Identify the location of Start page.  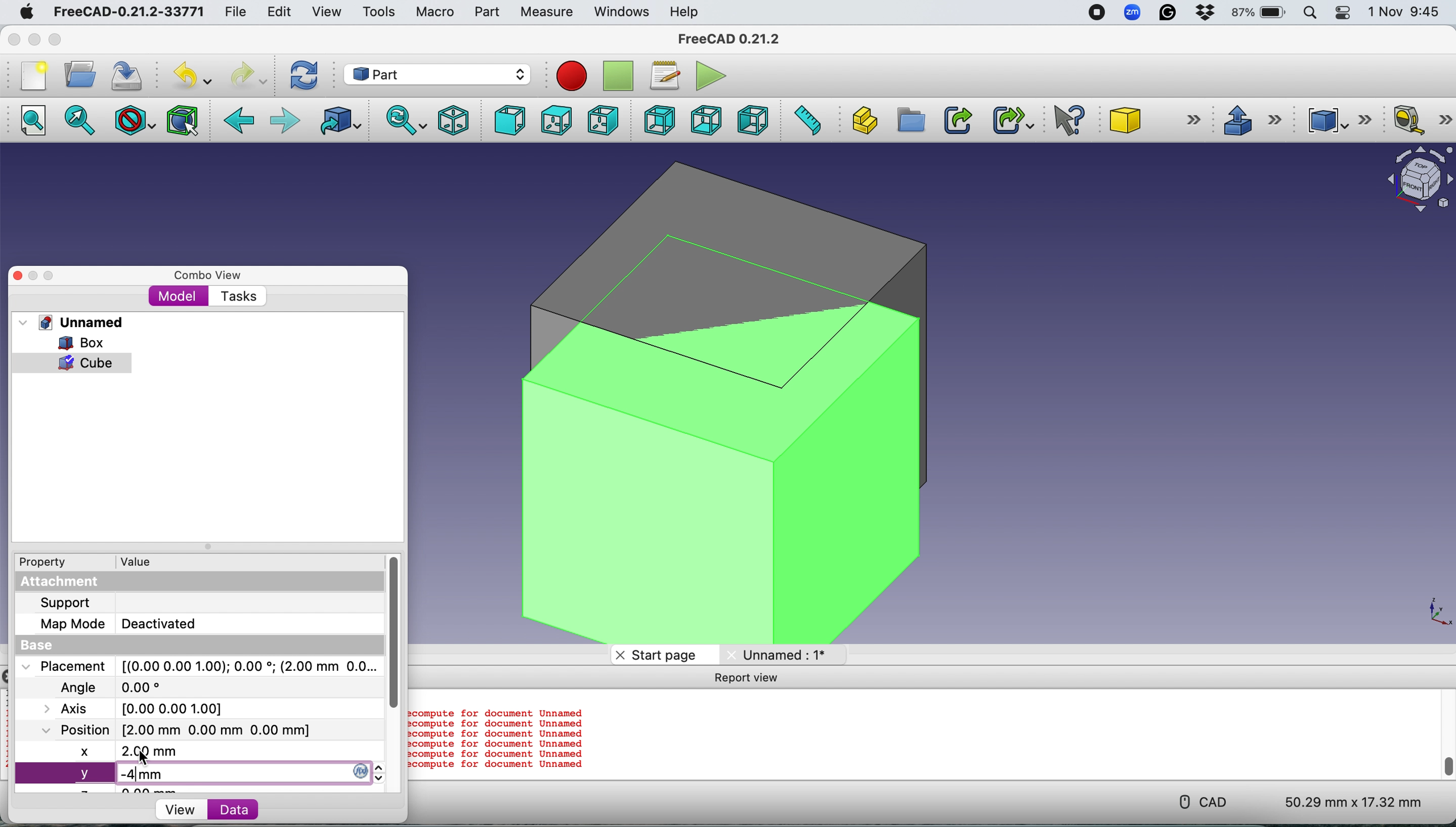
(663, 654).